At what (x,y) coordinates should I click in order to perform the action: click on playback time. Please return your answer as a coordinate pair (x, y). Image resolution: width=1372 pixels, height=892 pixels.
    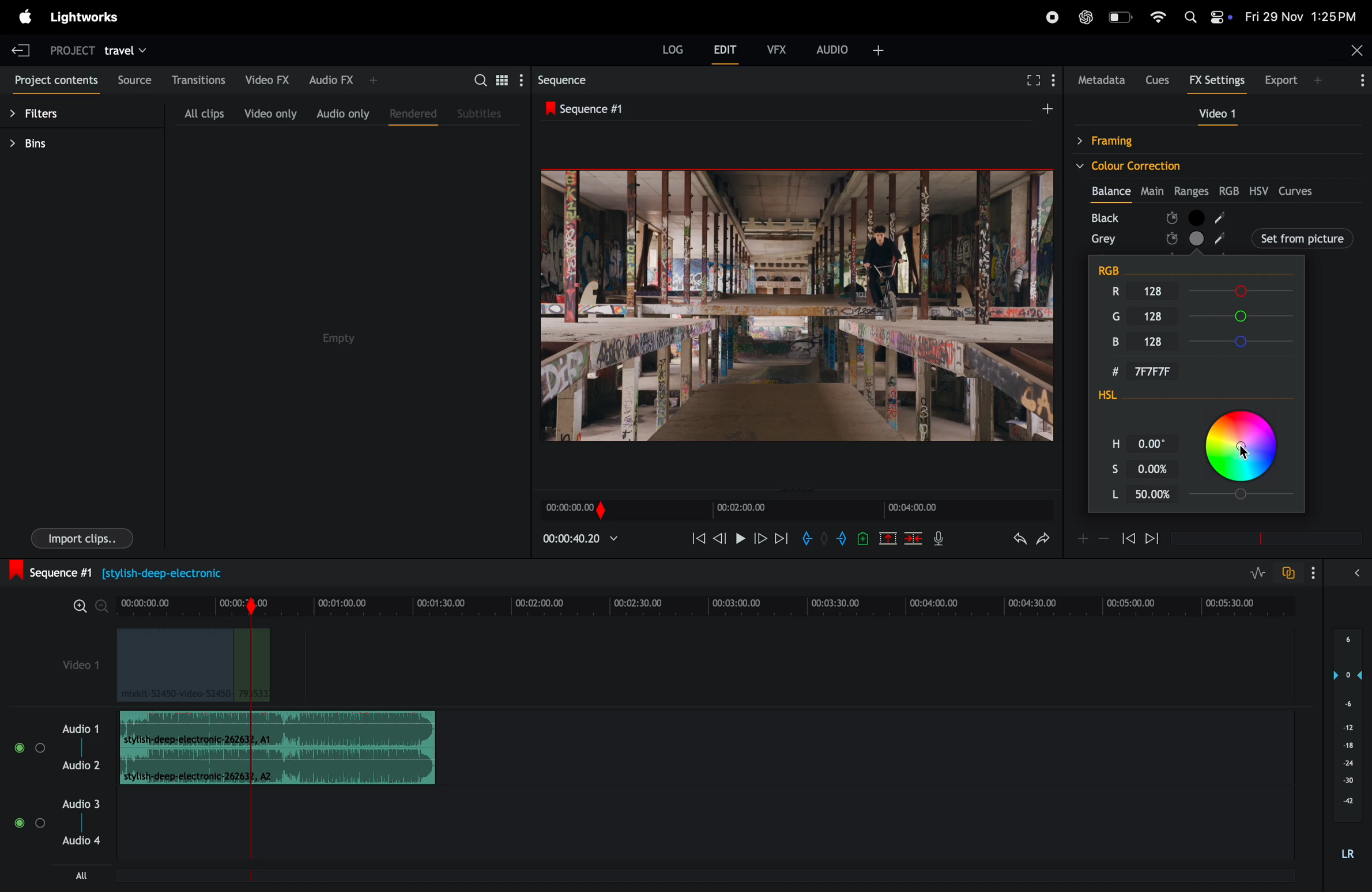
    Looking at the image, I should click on (589, 541).